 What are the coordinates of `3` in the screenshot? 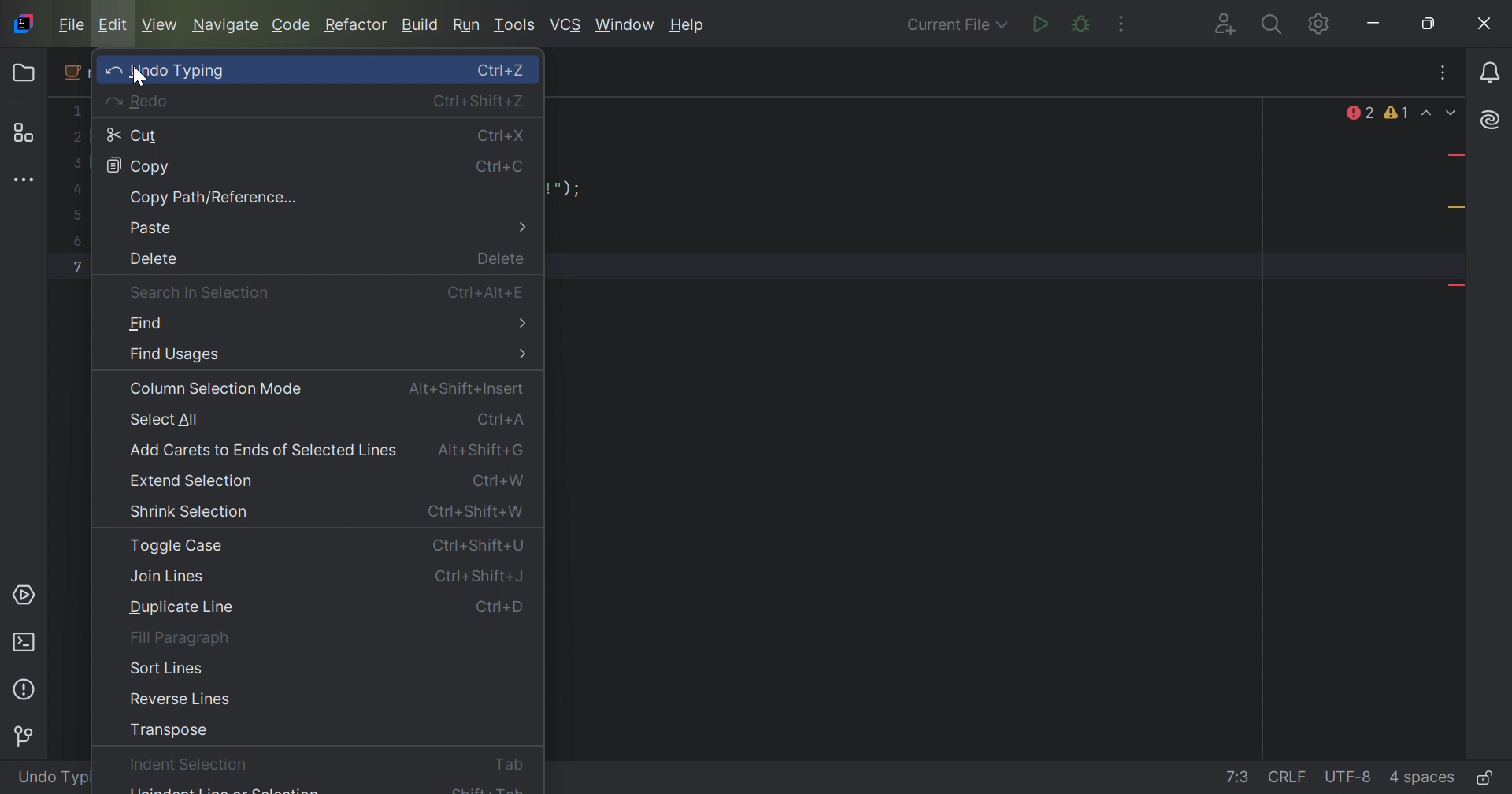 It's located at (75, 163).